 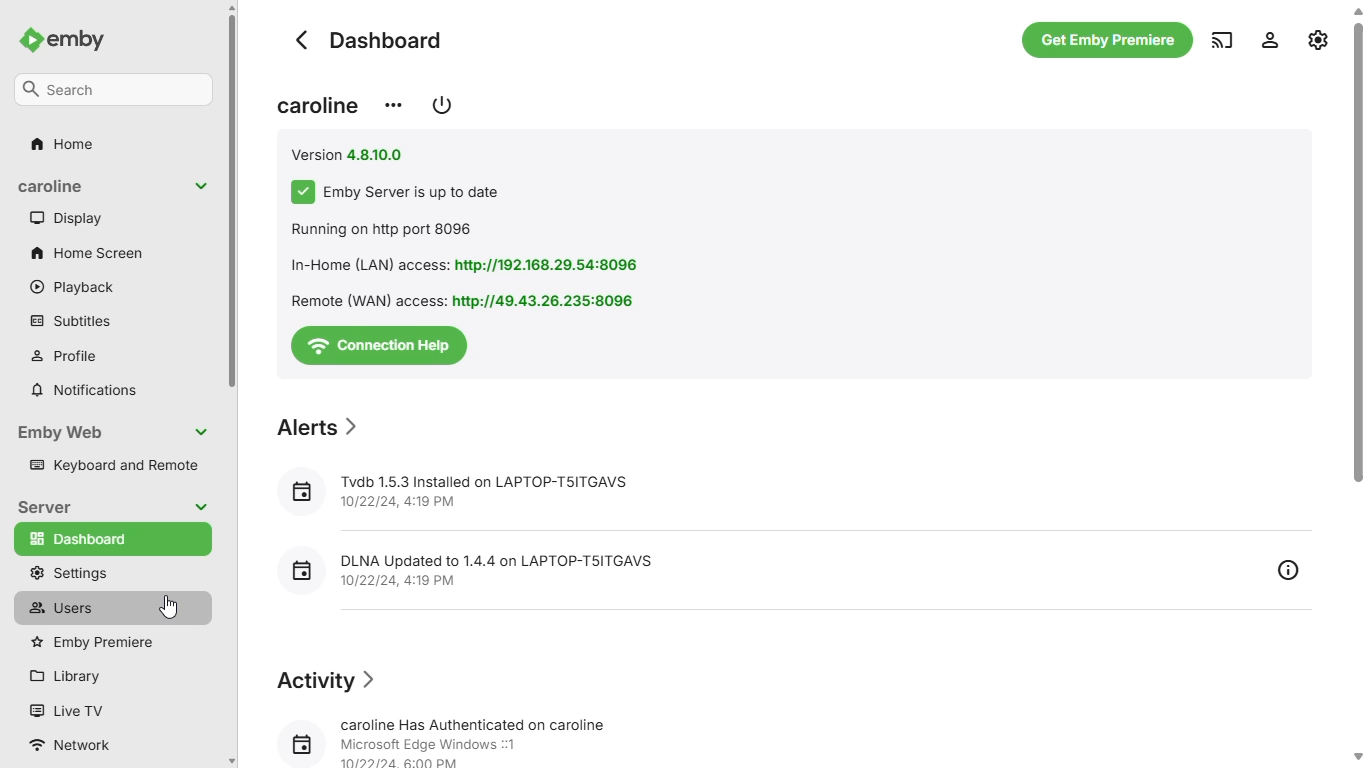 I want to click on vertical scroll bar, so click(x=1356, y=248).